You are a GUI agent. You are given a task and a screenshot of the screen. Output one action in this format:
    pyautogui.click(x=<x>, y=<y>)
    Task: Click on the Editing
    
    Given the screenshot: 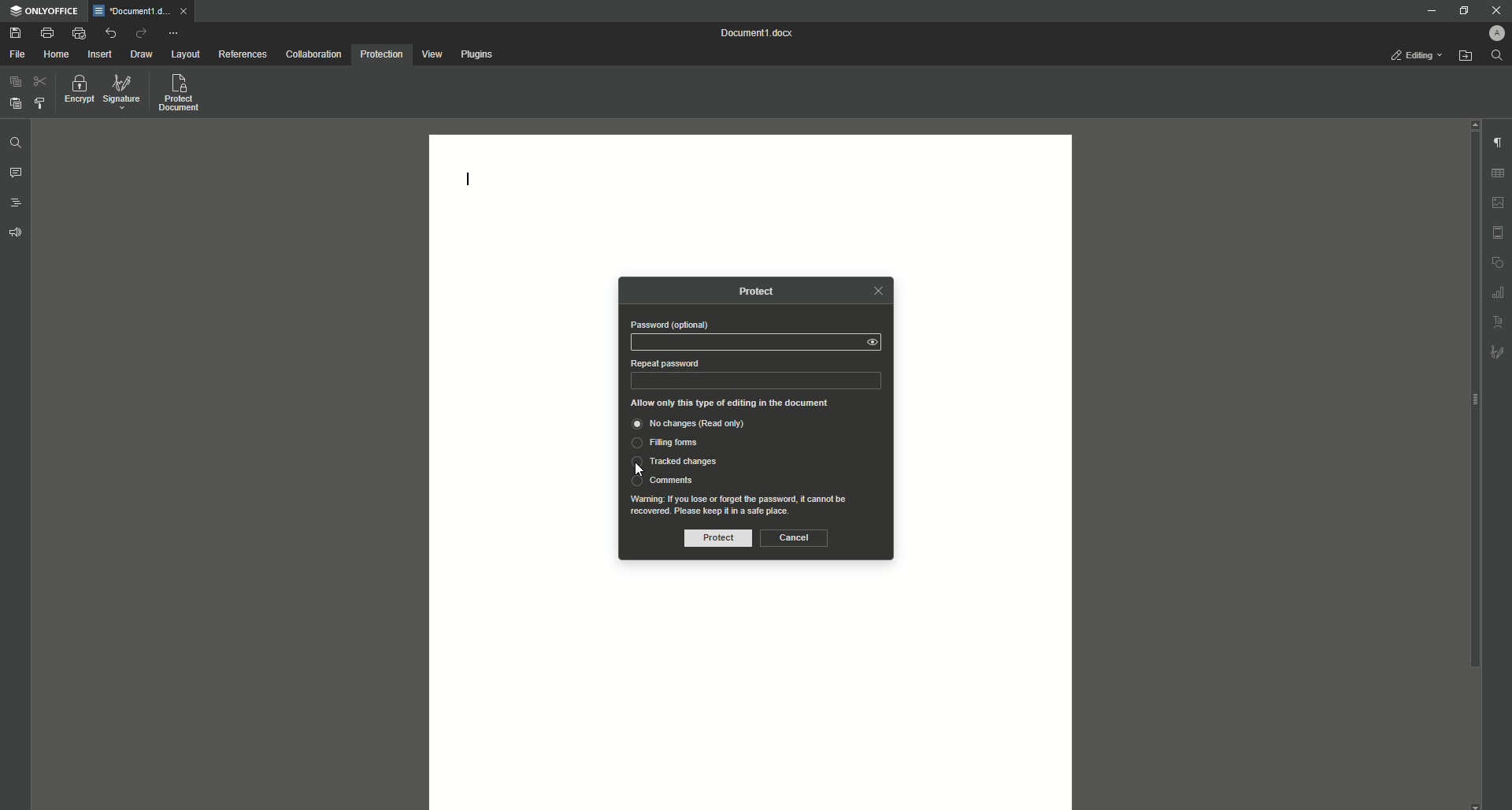 What is the action you would take?
    pyautogui.click(x=1416, y=56)
    